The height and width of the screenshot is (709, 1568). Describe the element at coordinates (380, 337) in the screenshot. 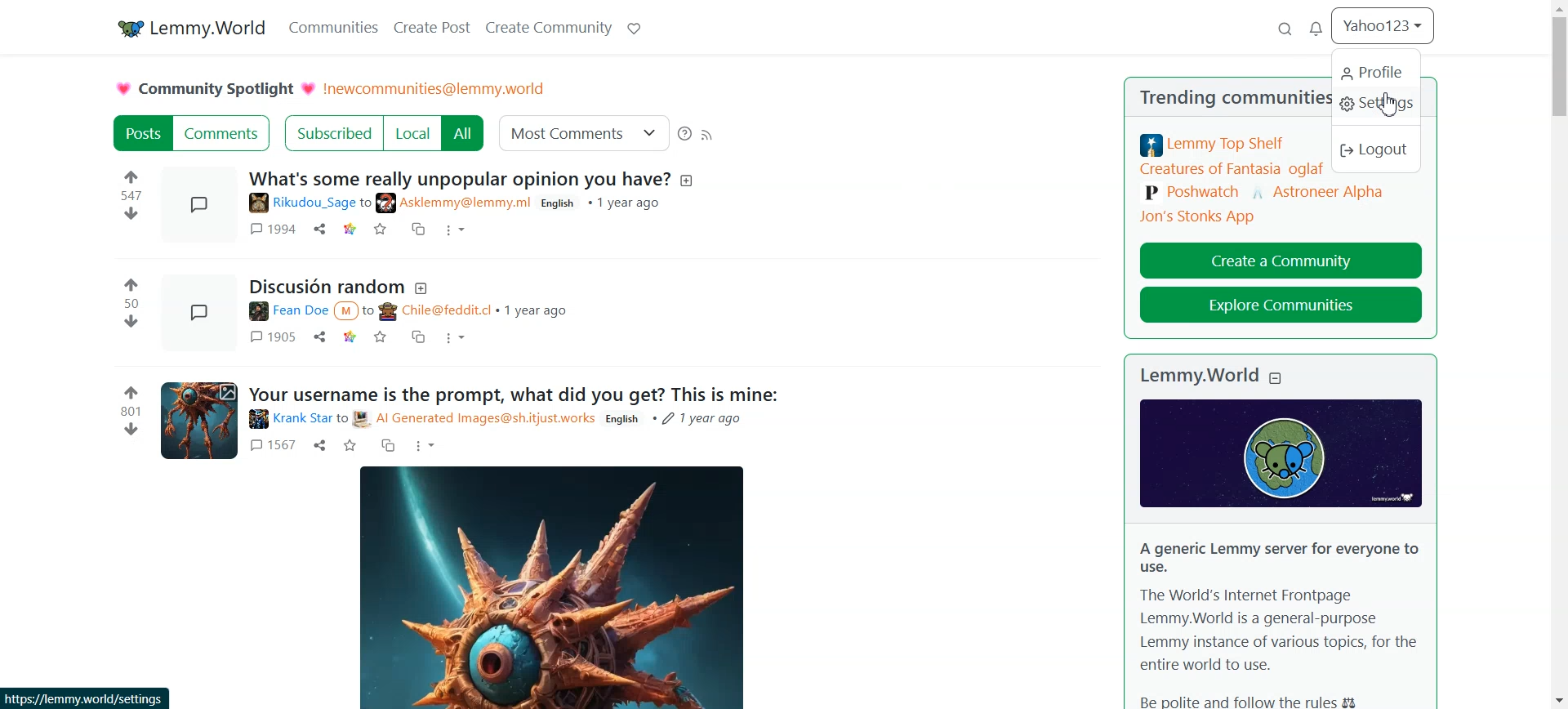

I see `save` at that location.